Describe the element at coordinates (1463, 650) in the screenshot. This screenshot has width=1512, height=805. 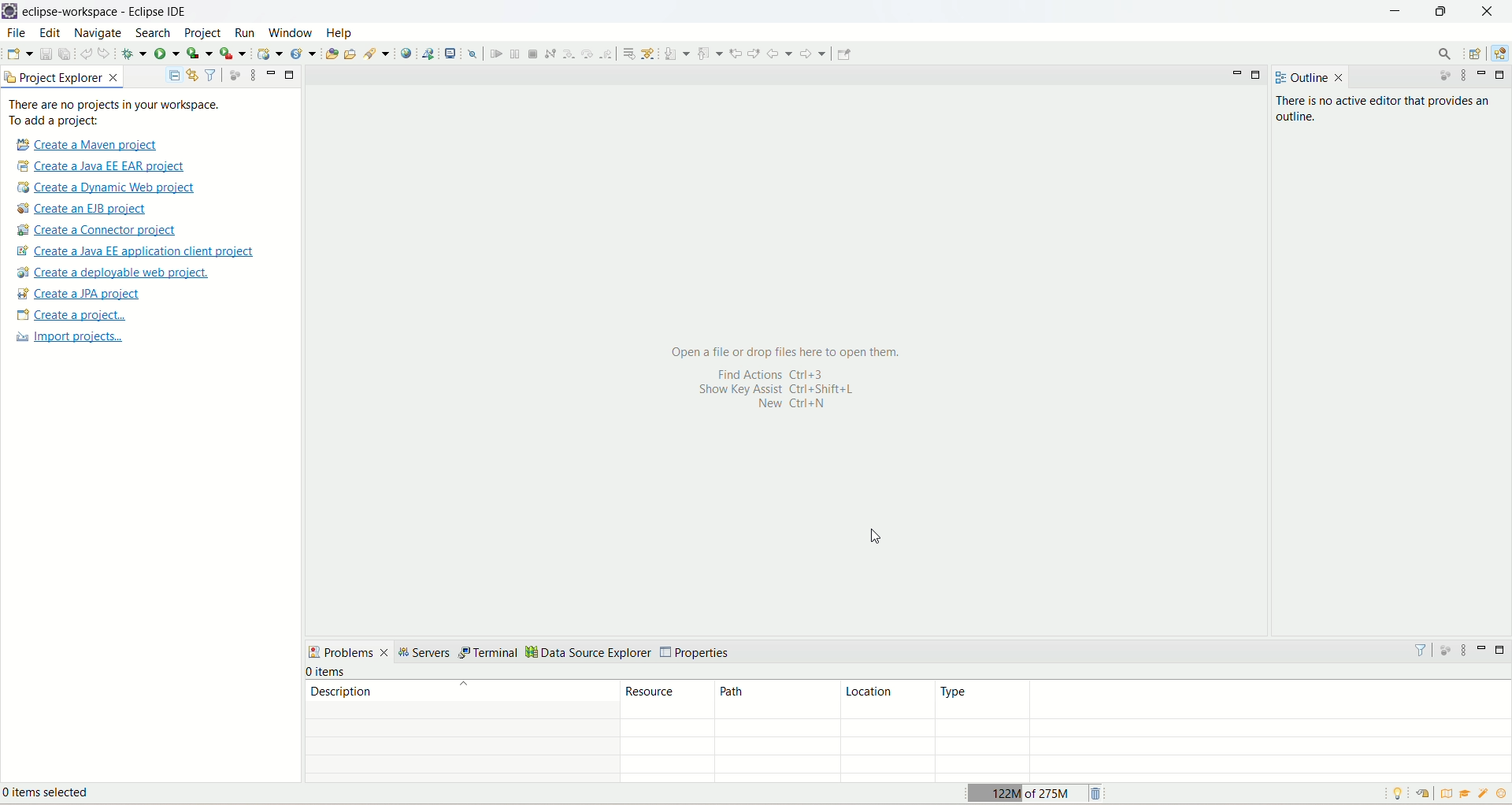
I see `view menu` at that location.